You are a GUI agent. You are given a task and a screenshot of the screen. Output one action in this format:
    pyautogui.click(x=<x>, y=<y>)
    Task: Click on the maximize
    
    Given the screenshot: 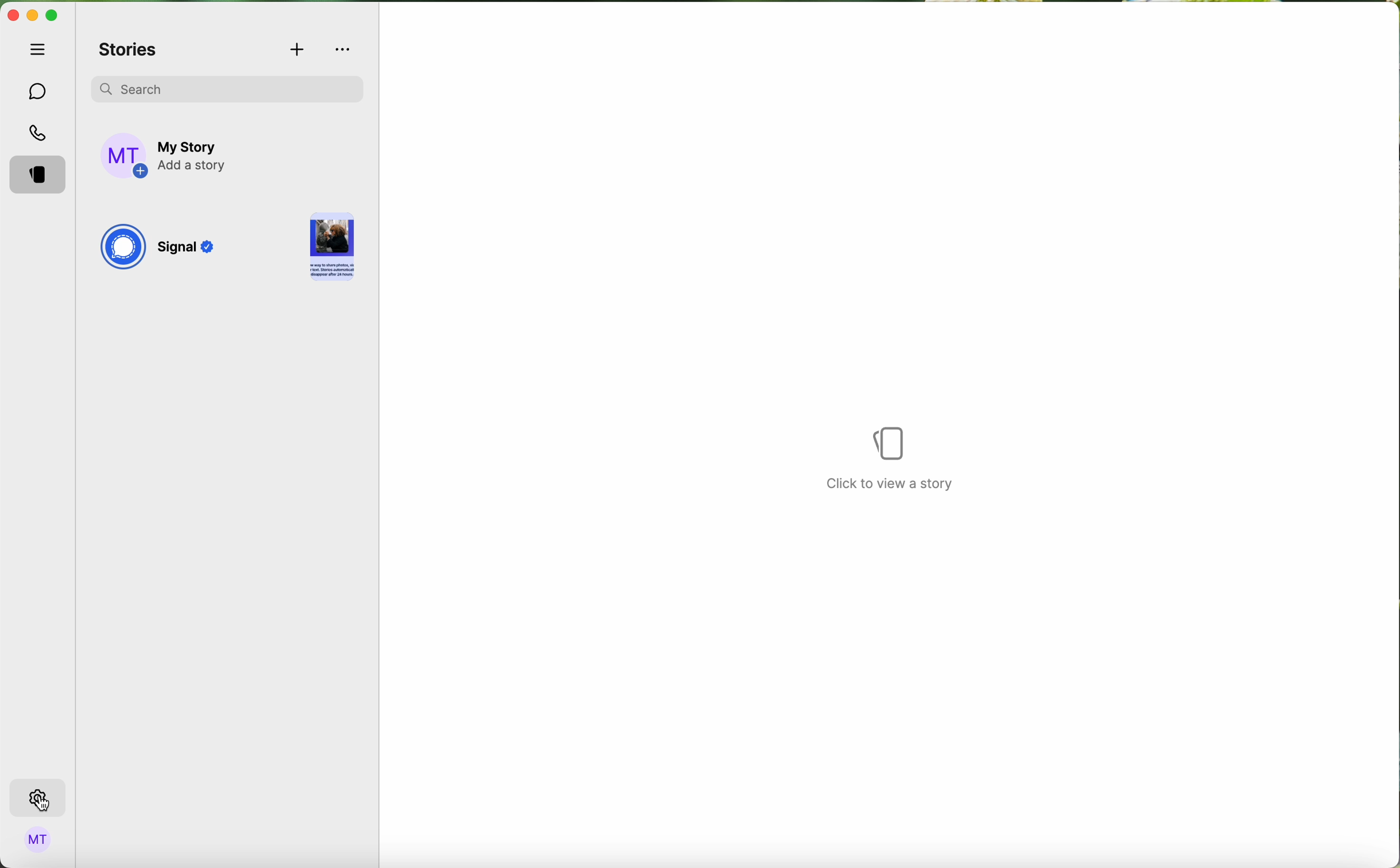 What is the action you would take?
    pyautogui.click(x=52, y=15)
    